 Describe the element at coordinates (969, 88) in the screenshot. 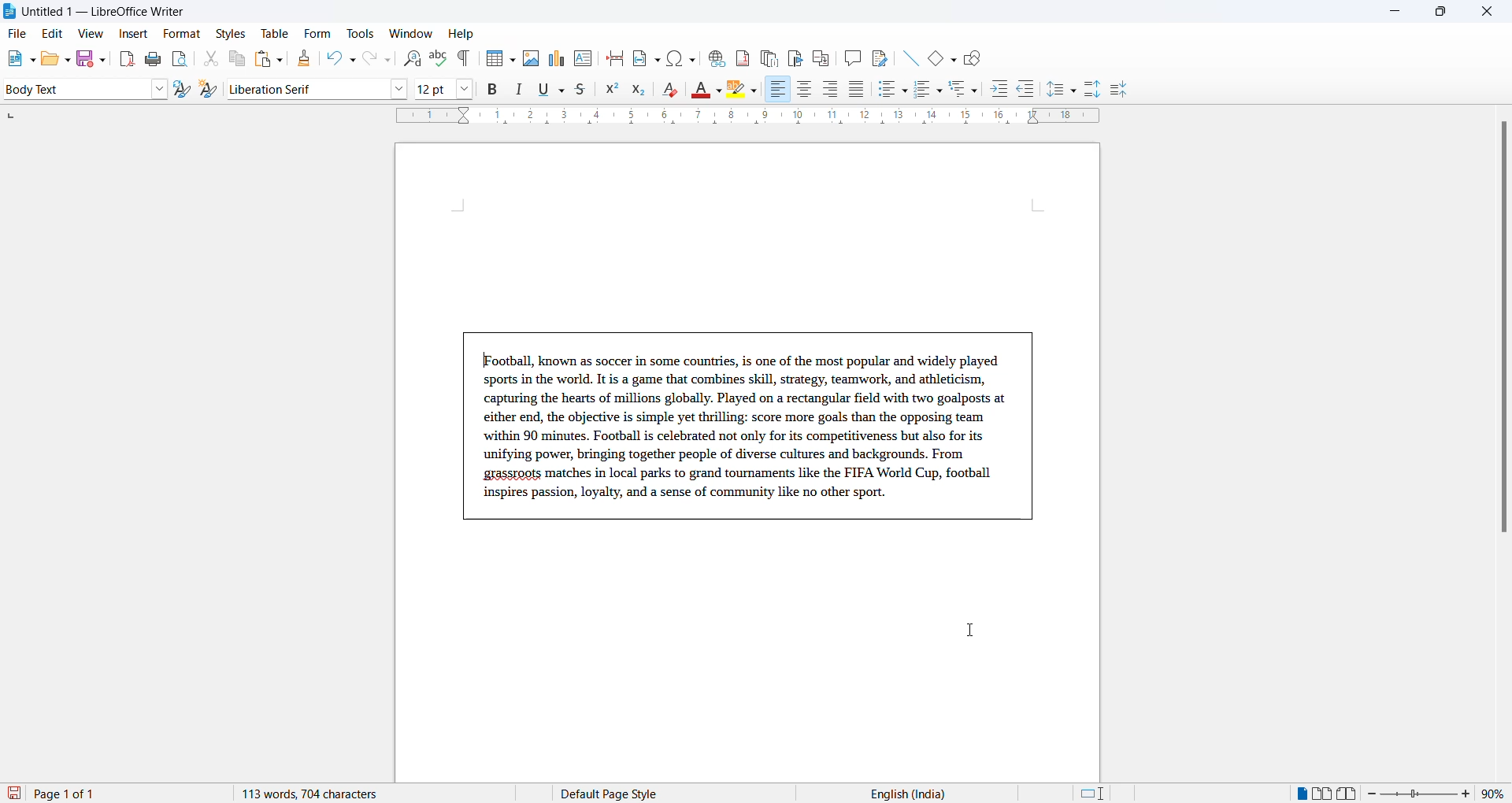

I see `select outline format` at that location.